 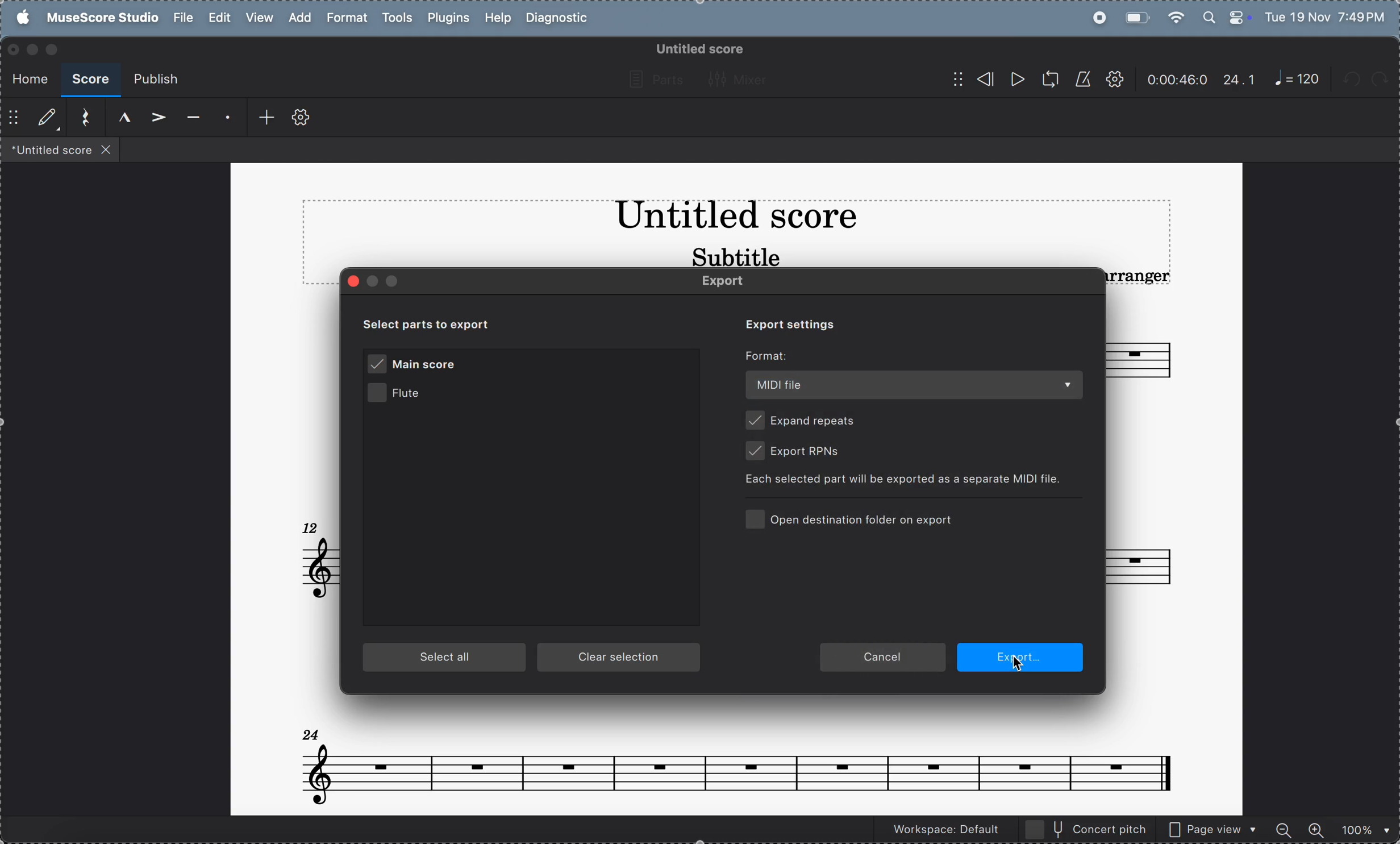 What do you see at coordinates (190, 119) in the screenshot?
I see `tenuto` at bounding box center [190, 119].